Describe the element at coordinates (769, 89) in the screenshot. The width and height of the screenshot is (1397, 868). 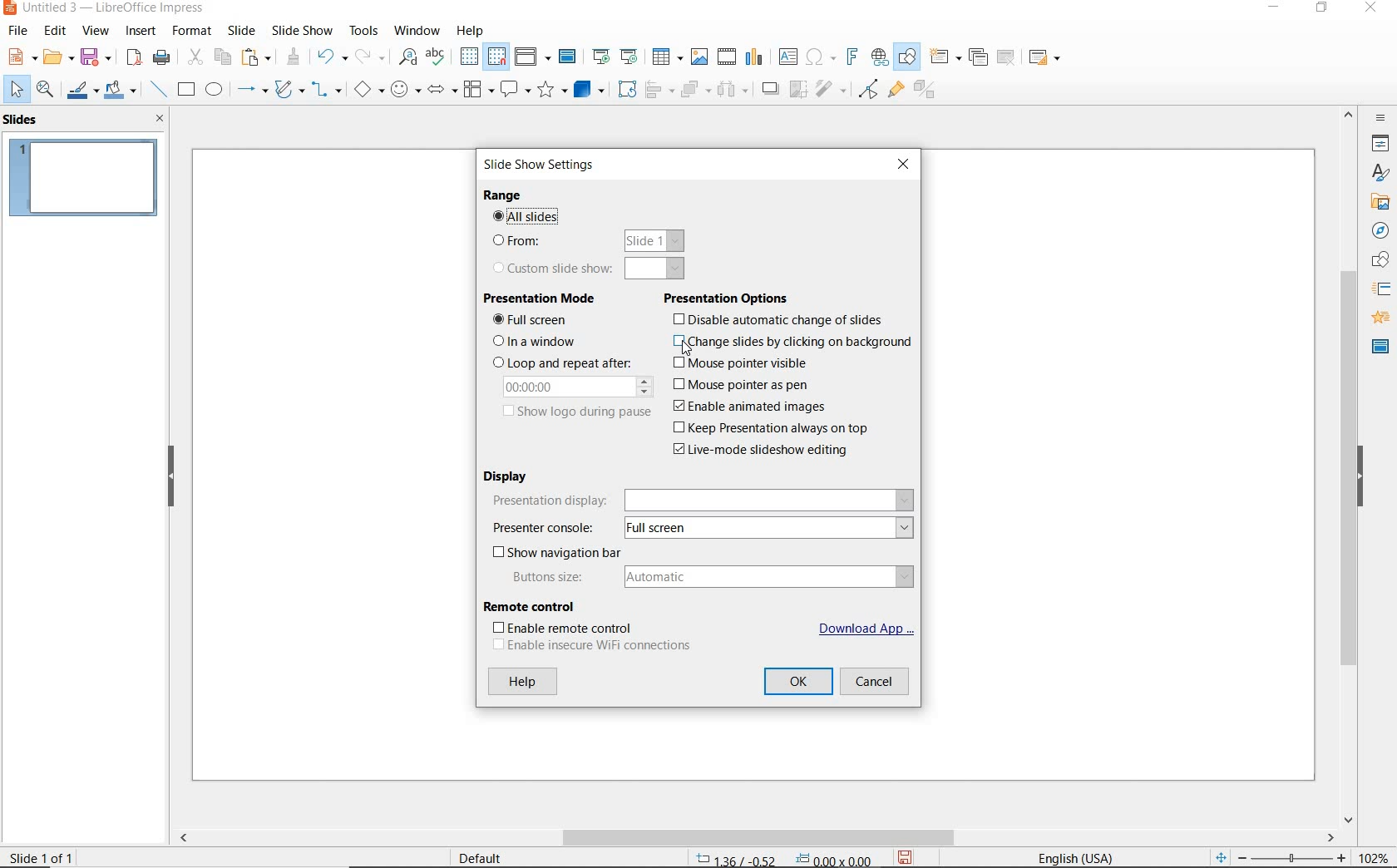
I see `SHADOW` at that location.